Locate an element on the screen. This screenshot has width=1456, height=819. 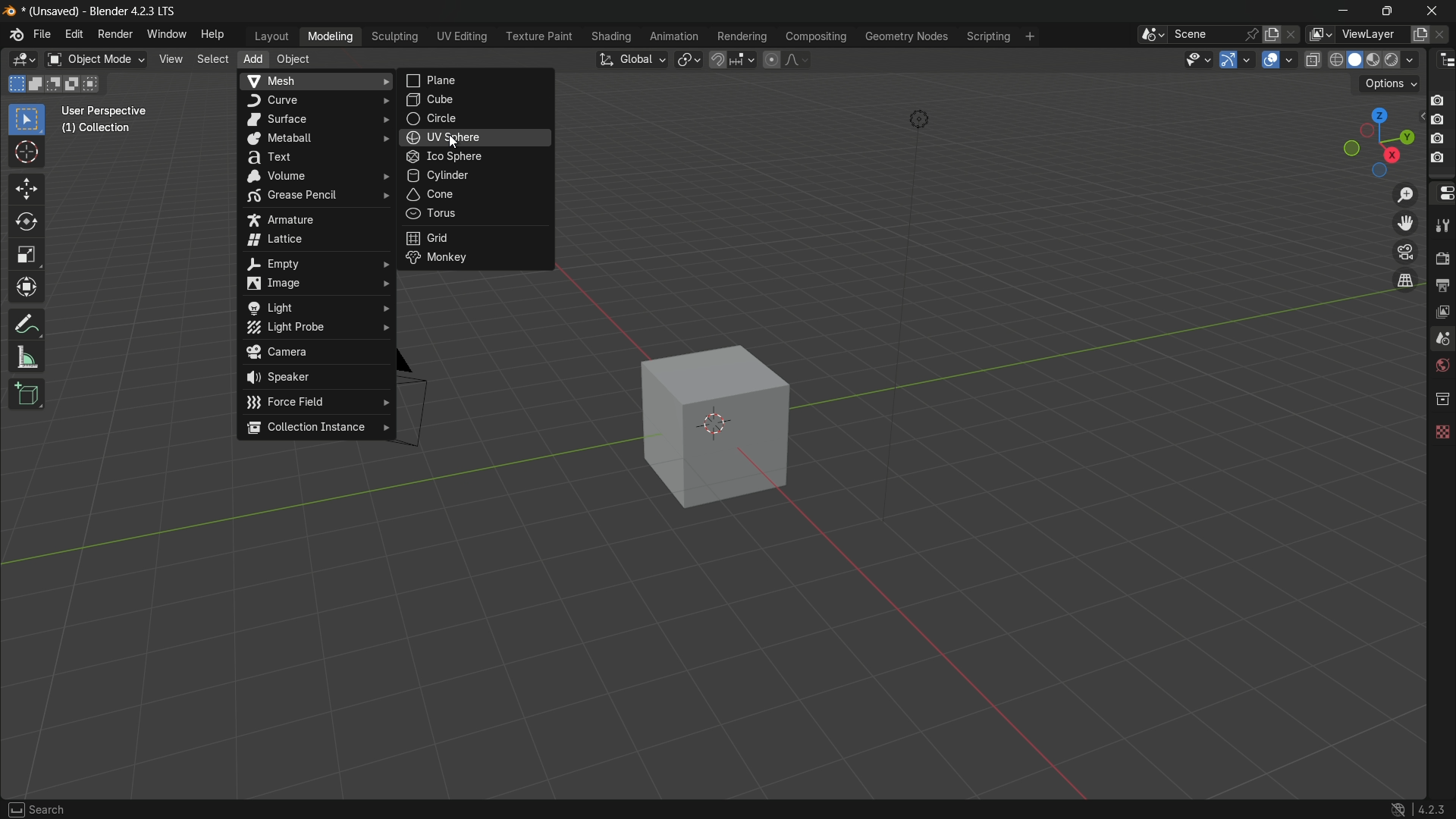
maximize or restore is located at coordinates (1389, 12).